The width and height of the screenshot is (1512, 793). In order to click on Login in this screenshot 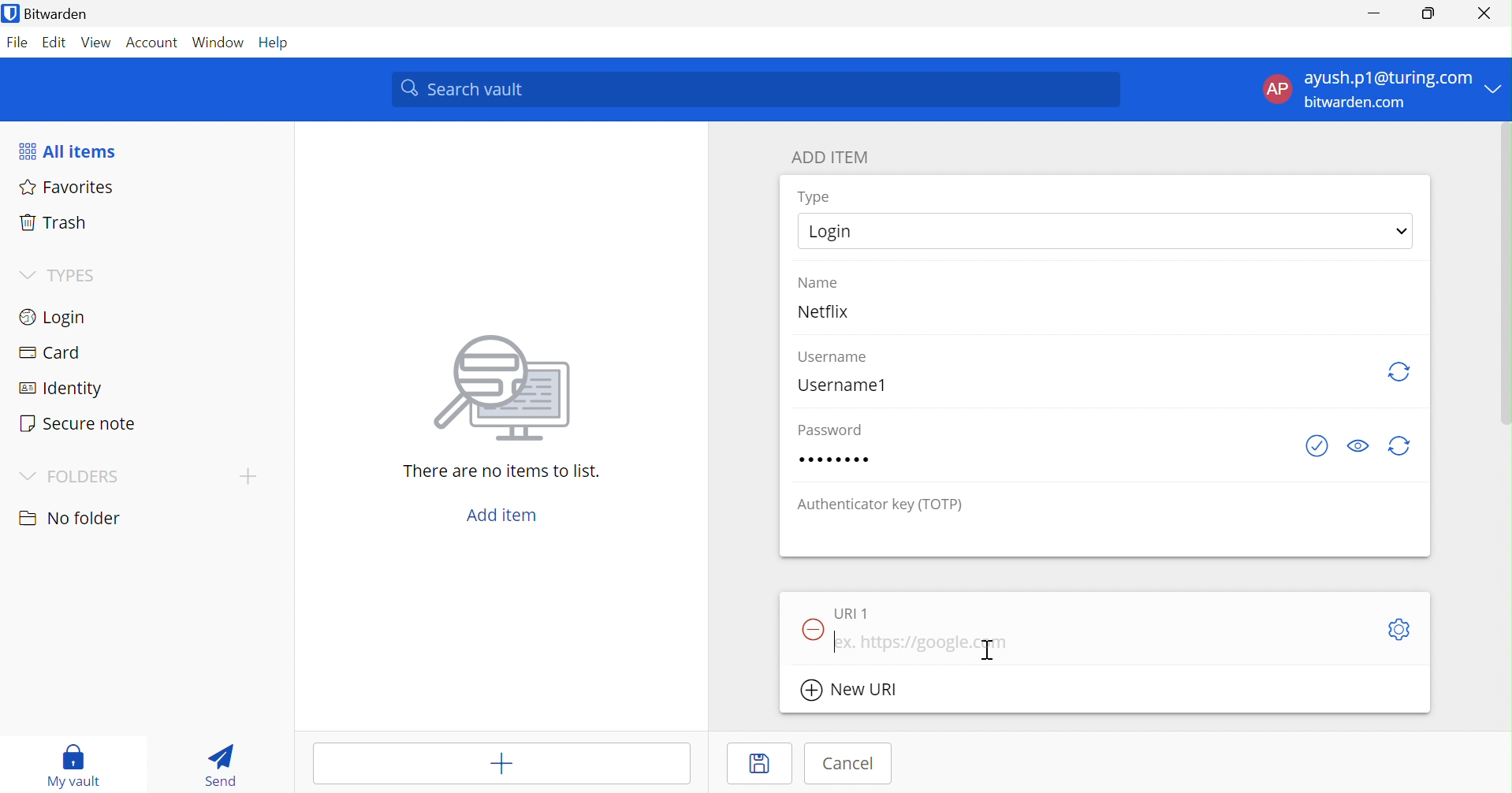, I will do `click(1108, 233)`.